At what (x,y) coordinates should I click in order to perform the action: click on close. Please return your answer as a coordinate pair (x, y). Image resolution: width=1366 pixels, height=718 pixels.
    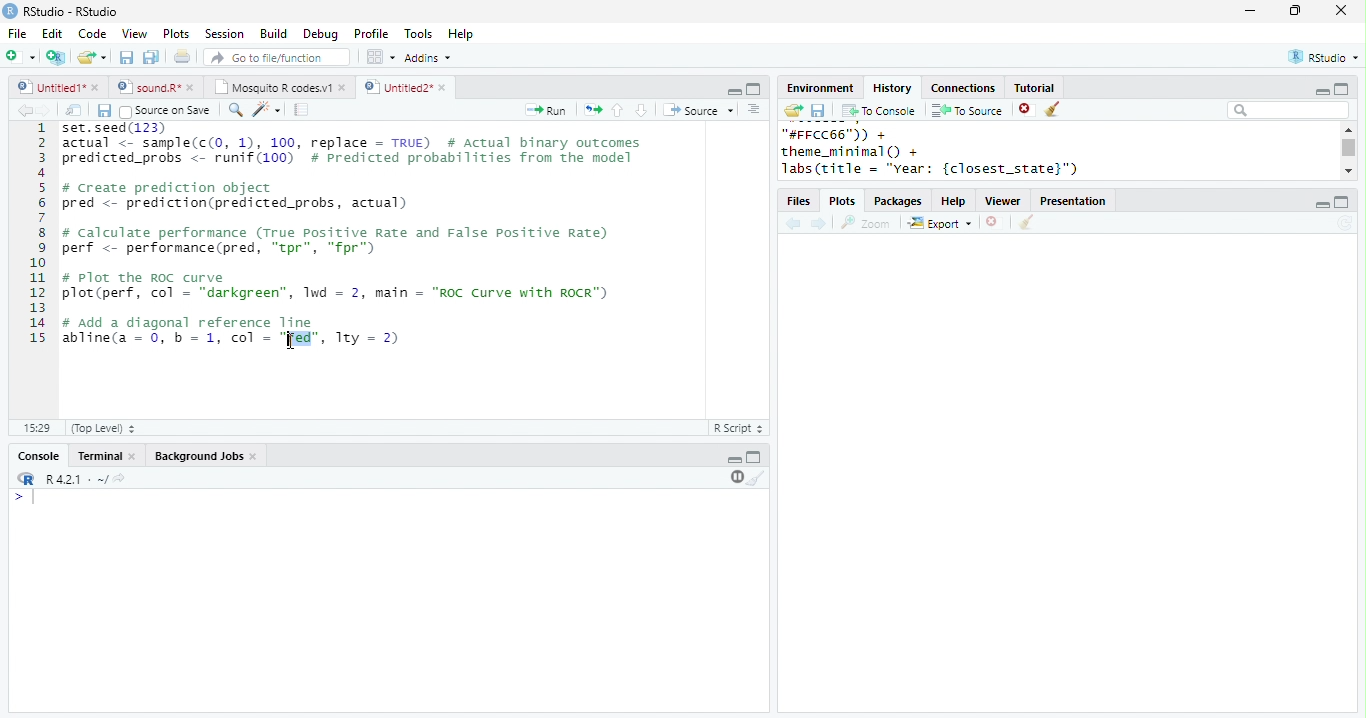
    Looking at the image, I should click on (445, 88).